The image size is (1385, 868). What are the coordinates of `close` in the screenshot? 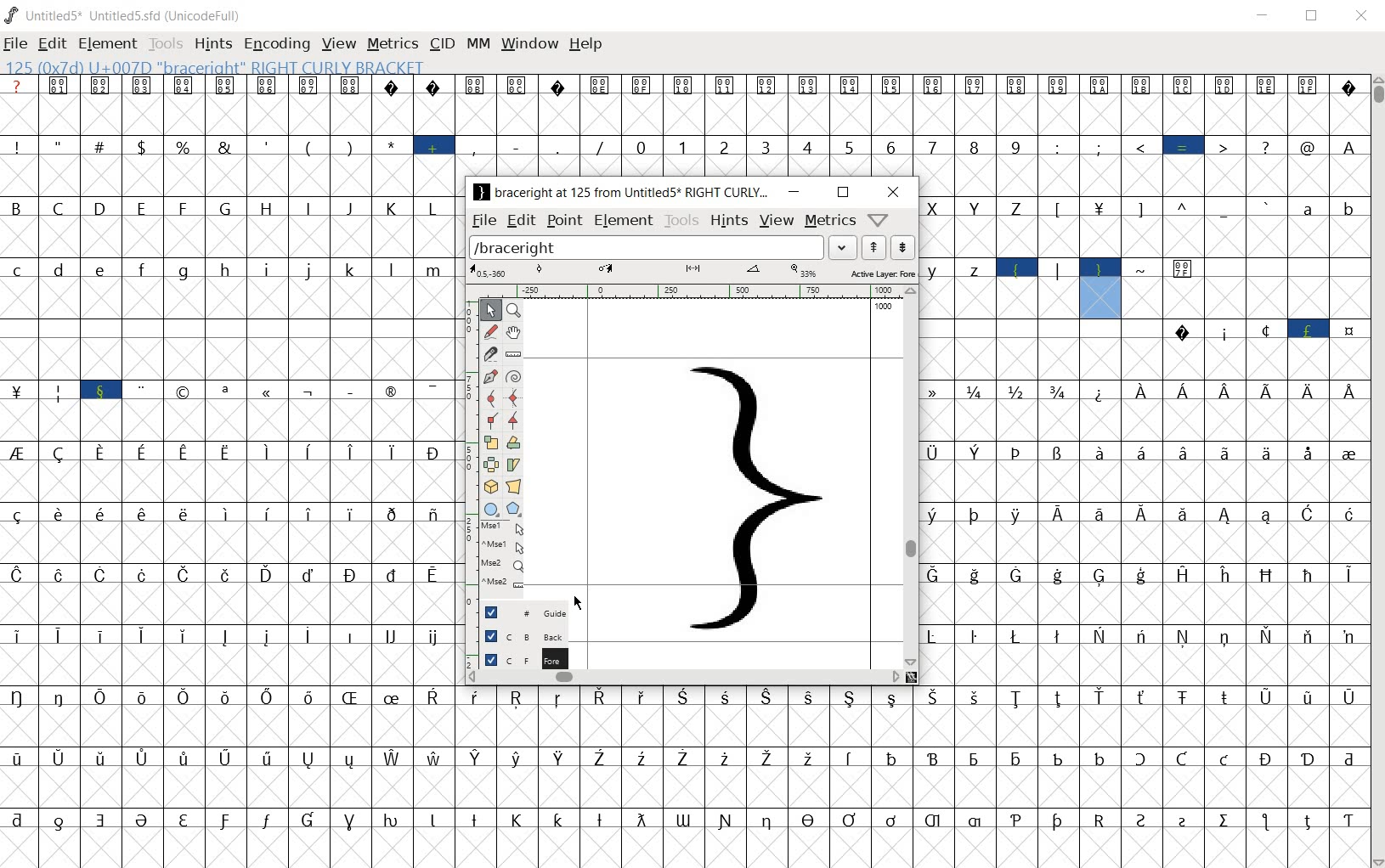 It's located at (894, 192).